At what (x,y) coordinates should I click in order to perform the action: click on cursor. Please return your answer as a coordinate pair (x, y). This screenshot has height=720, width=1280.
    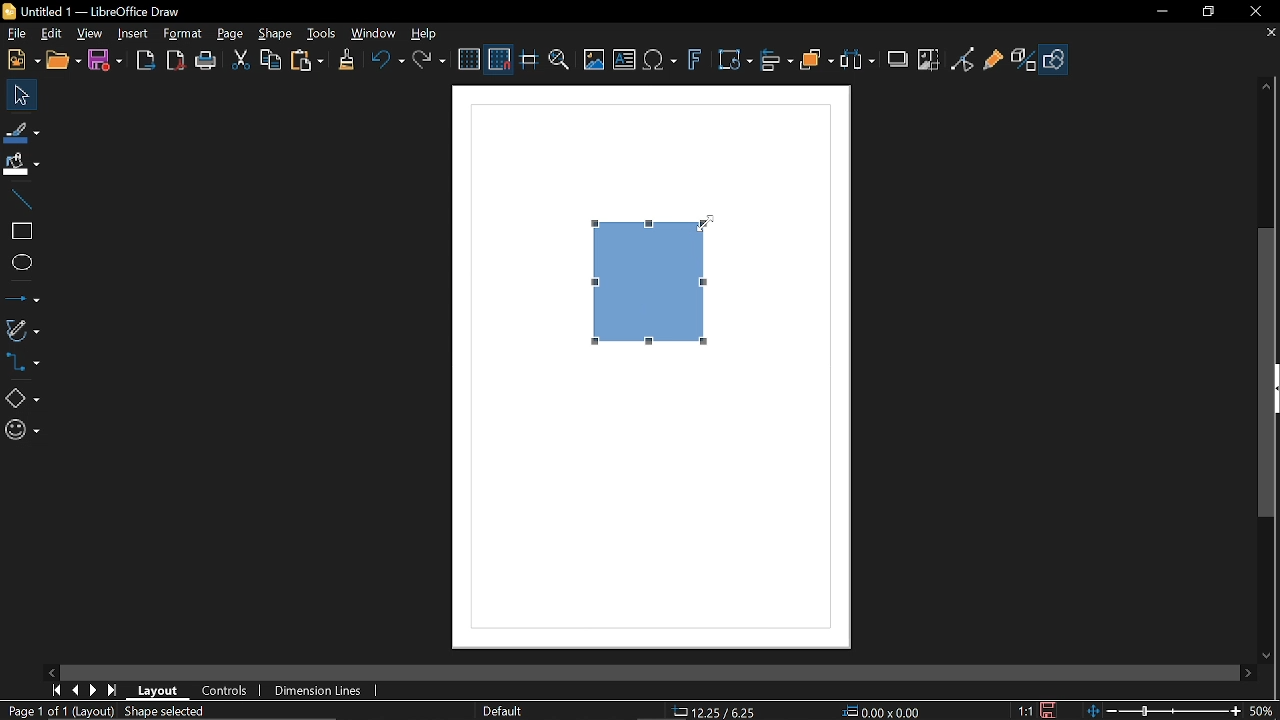
    Looking at the image, I should click on (703, 220).